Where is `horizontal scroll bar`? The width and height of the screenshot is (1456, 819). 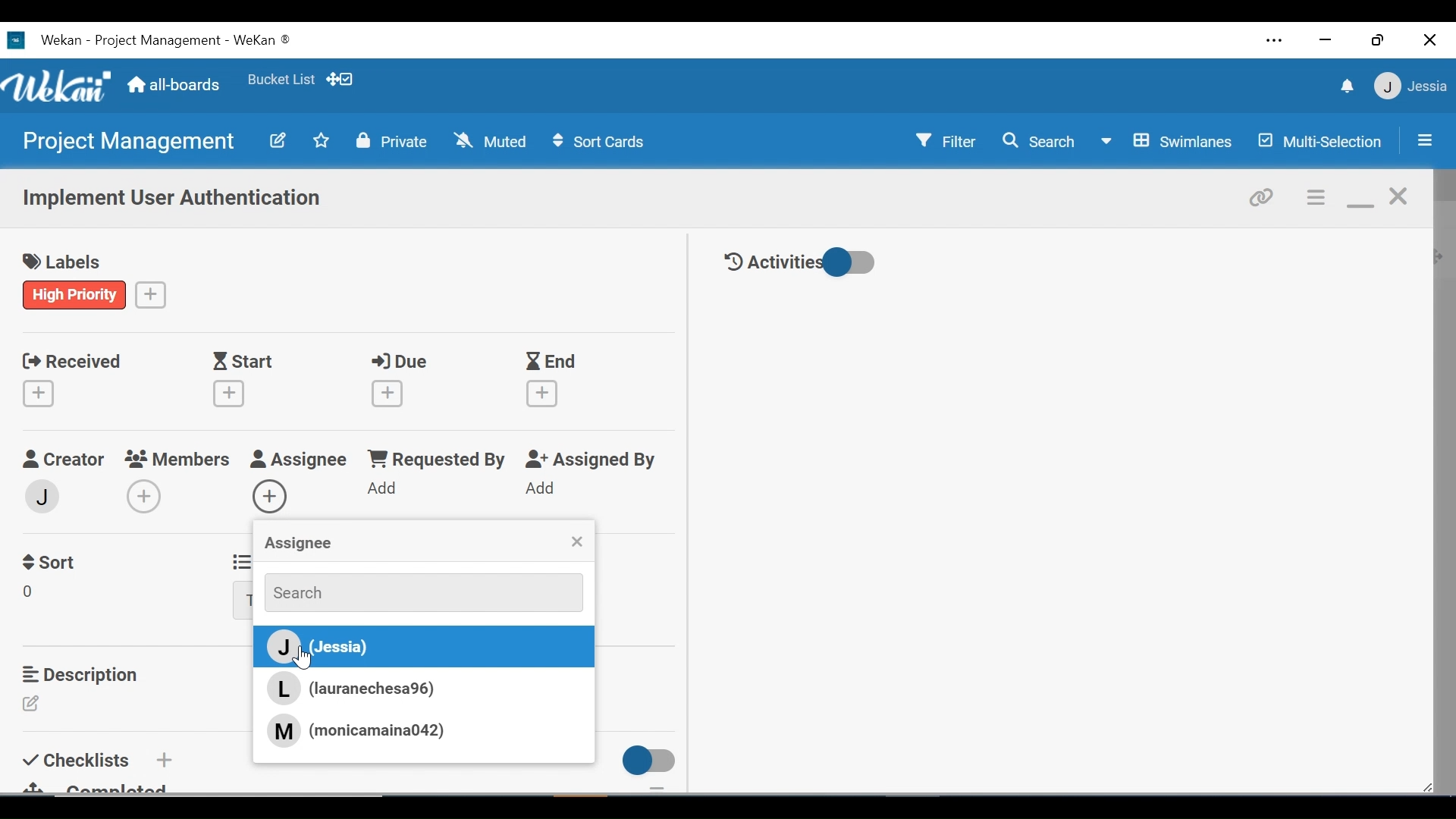 horizontal scroll bar is located at coordinates (264, 804).